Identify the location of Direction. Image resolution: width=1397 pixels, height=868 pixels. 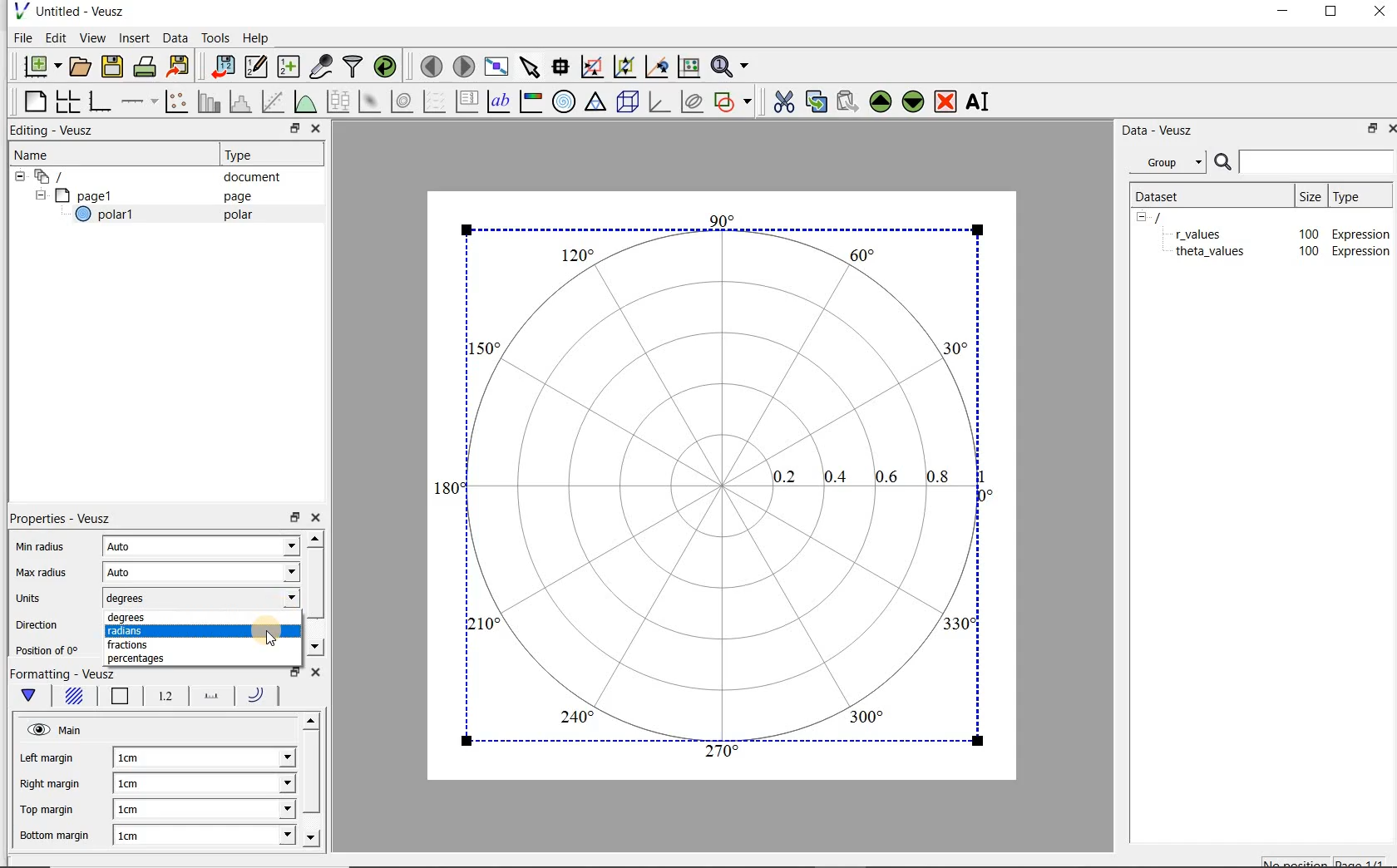
(40, 627).